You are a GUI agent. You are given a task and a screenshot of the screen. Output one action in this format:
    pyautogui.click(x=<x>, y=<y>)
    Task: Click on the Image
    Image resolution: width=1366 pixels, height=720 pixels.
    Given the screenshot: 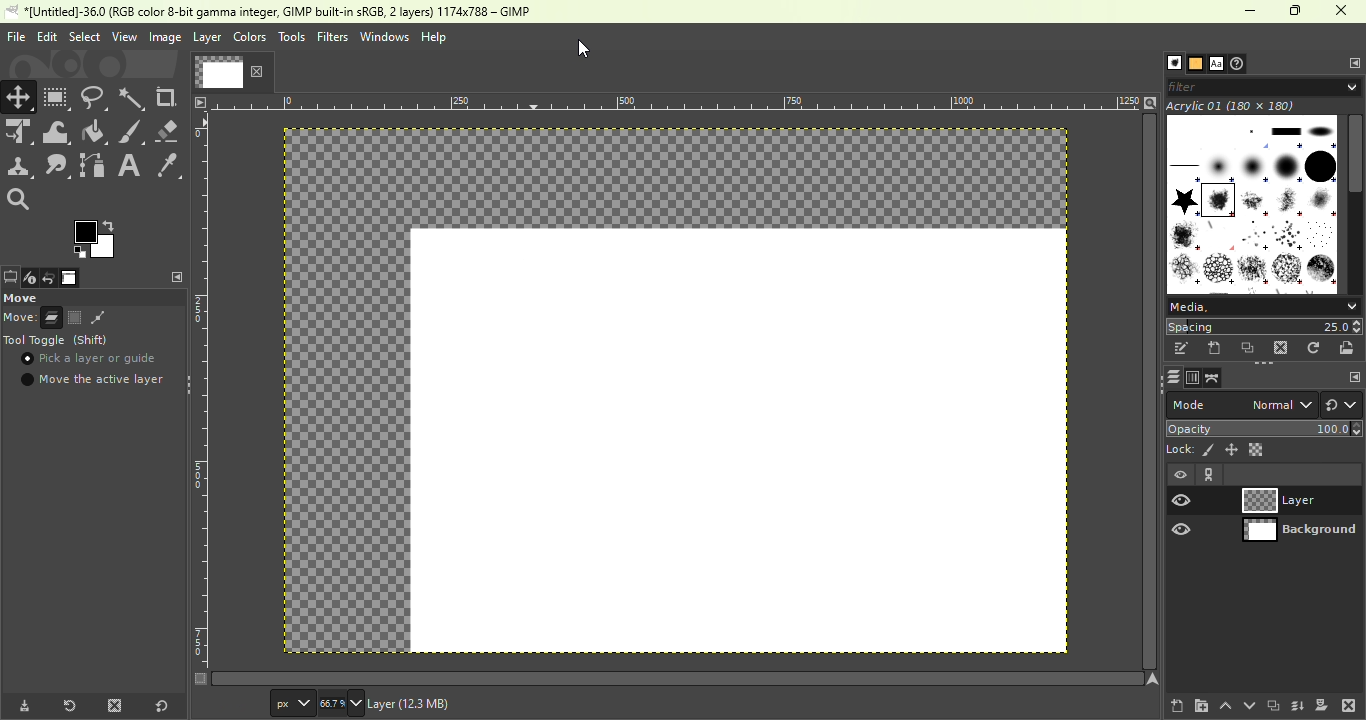 What is the action you would take?
    pyautogui.click(x=163, y=37)
    